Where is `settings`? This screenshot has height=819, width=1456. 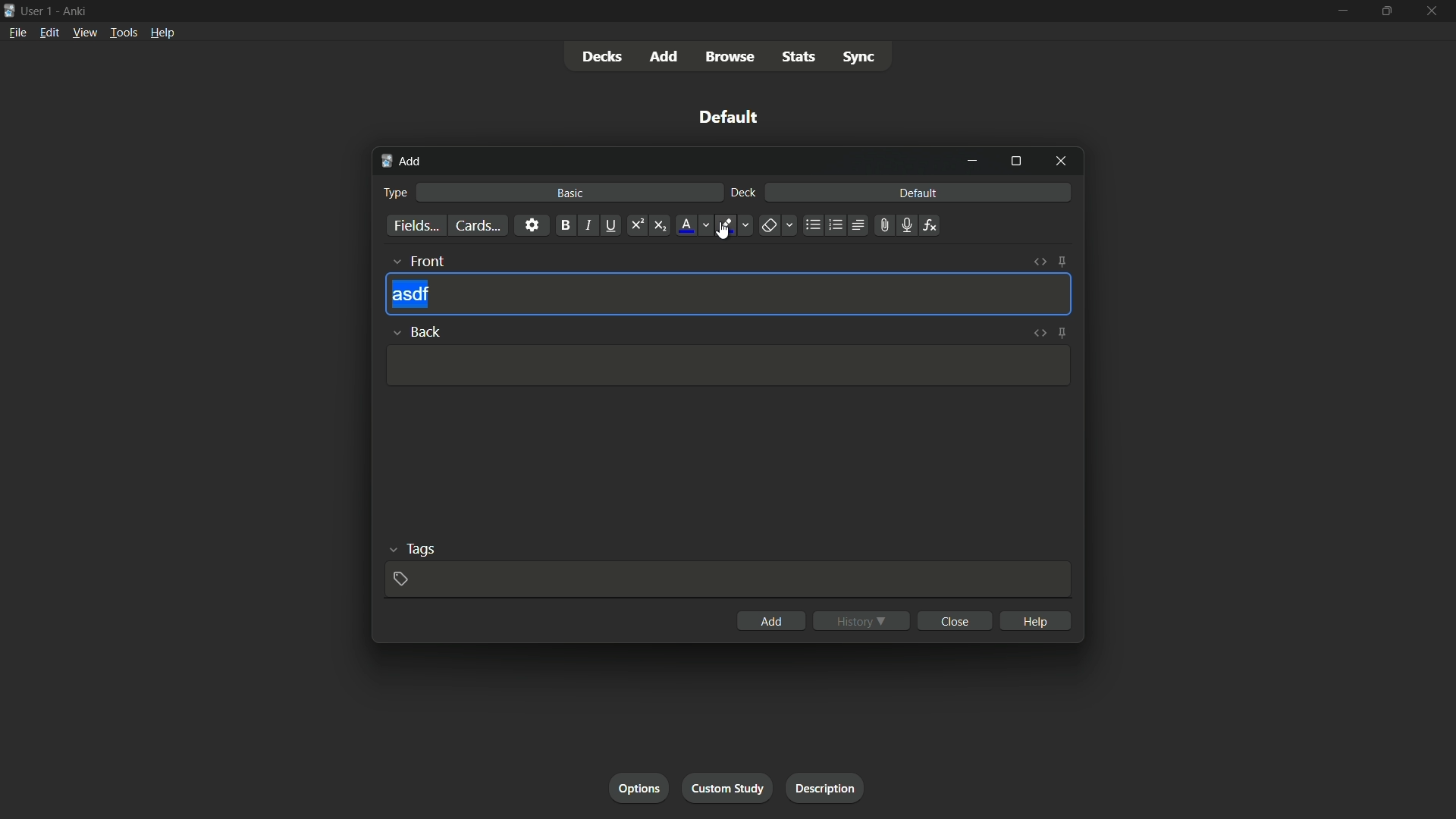 settings is located at coordinates (532, 225).